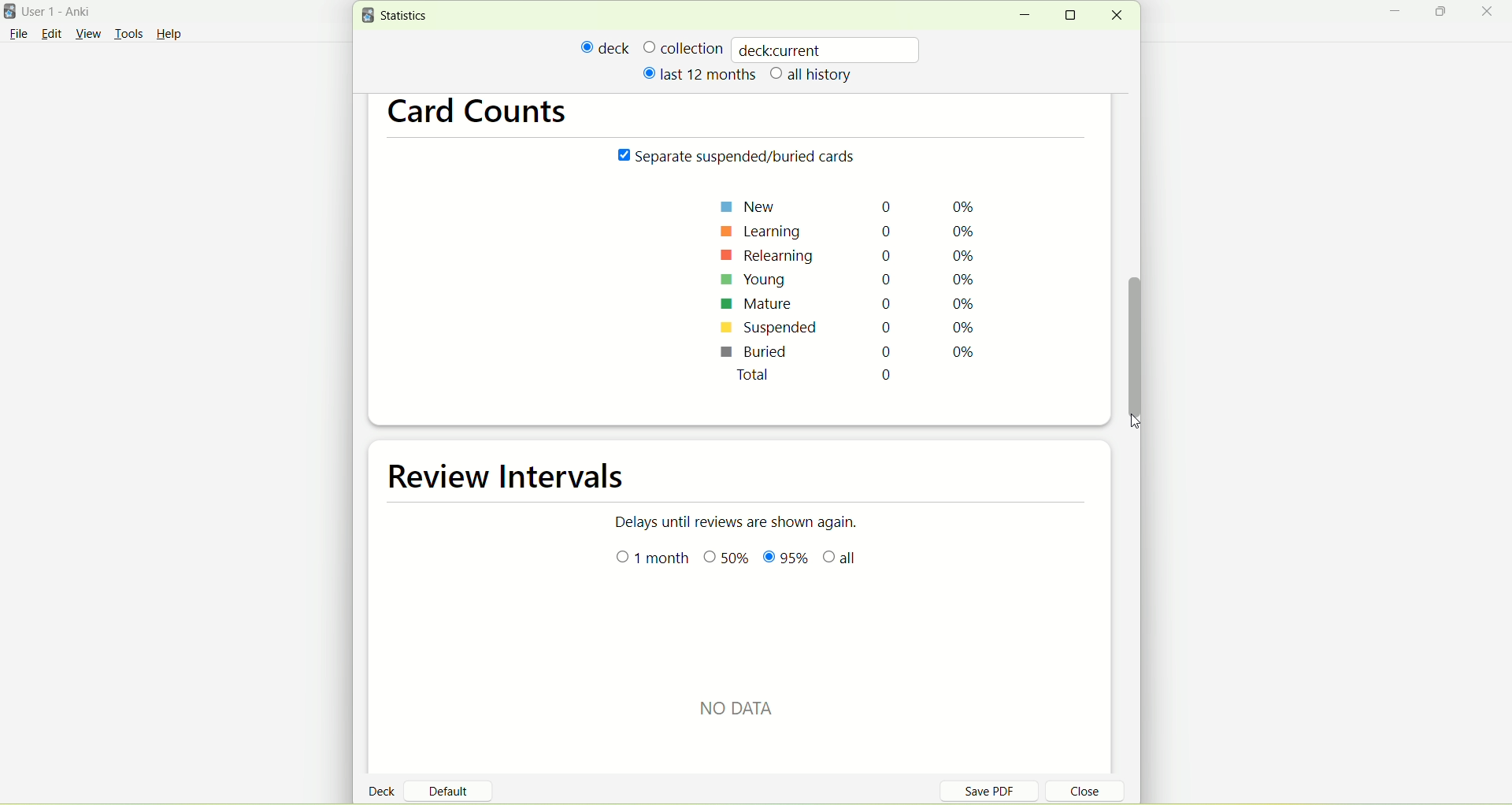 The width and height of the screenshot is (1512, 805). What do you see at coordinates (854, 228) in the screenshot?
I see `learning 0 0%` at bounding box center [854, 228].